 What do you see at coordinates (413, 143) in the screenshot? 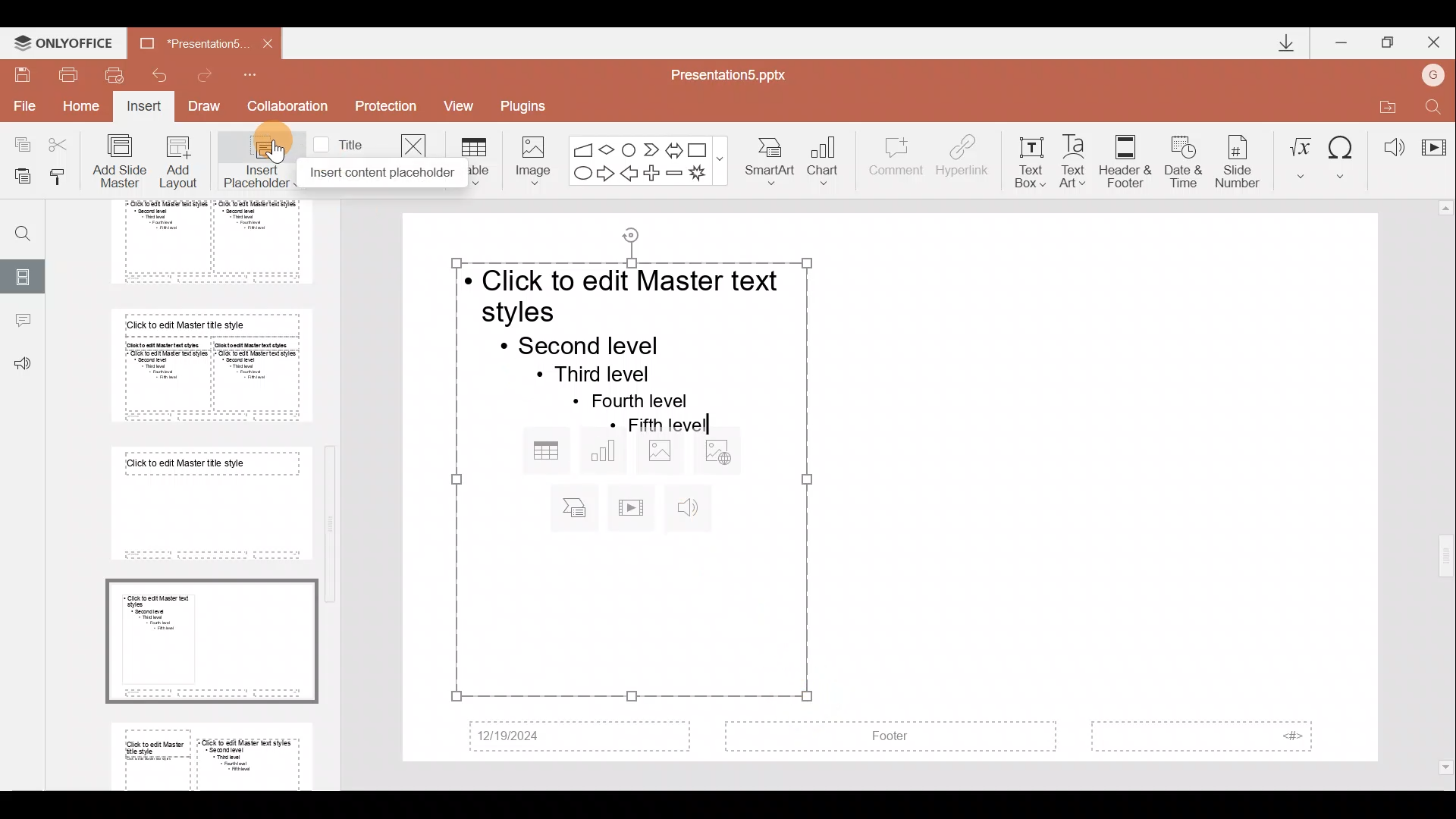
I see `Close masters` at bounding box center [413, 143].